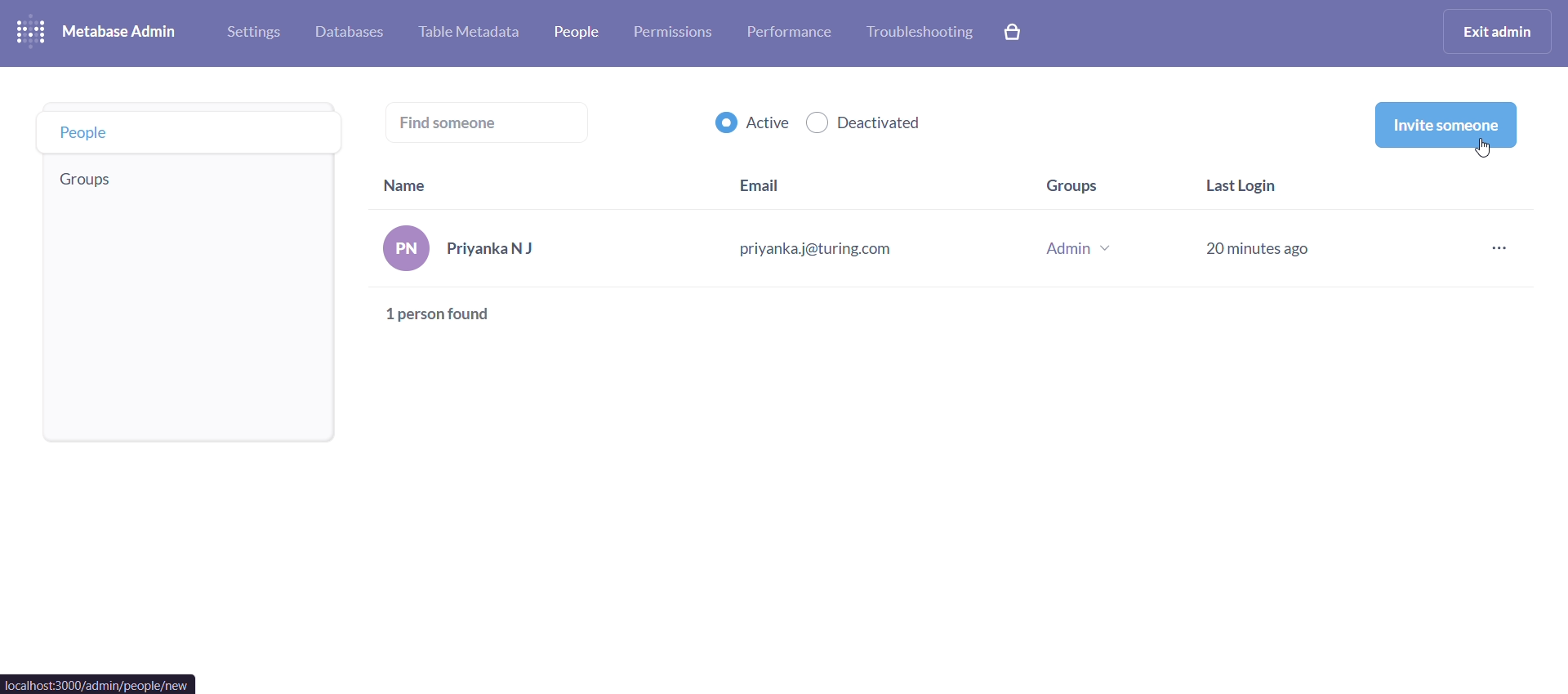 This screenshot has width=1568, height=694. Describe the element at coordinates (574, 35) in the screenshot. I see `people` at that location.